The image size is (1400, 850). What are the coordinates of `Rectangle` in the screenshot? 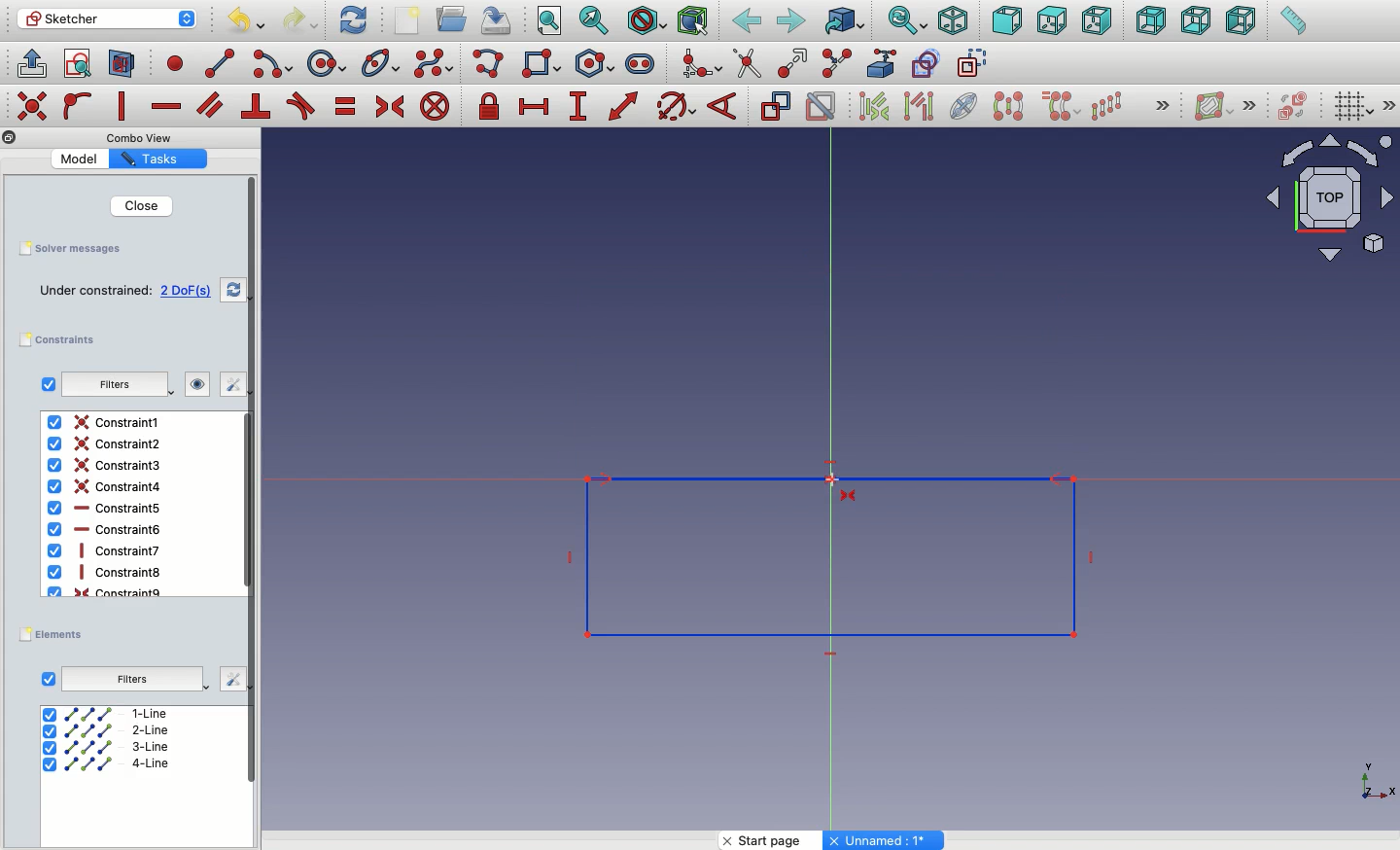 It's located at (545, 66).